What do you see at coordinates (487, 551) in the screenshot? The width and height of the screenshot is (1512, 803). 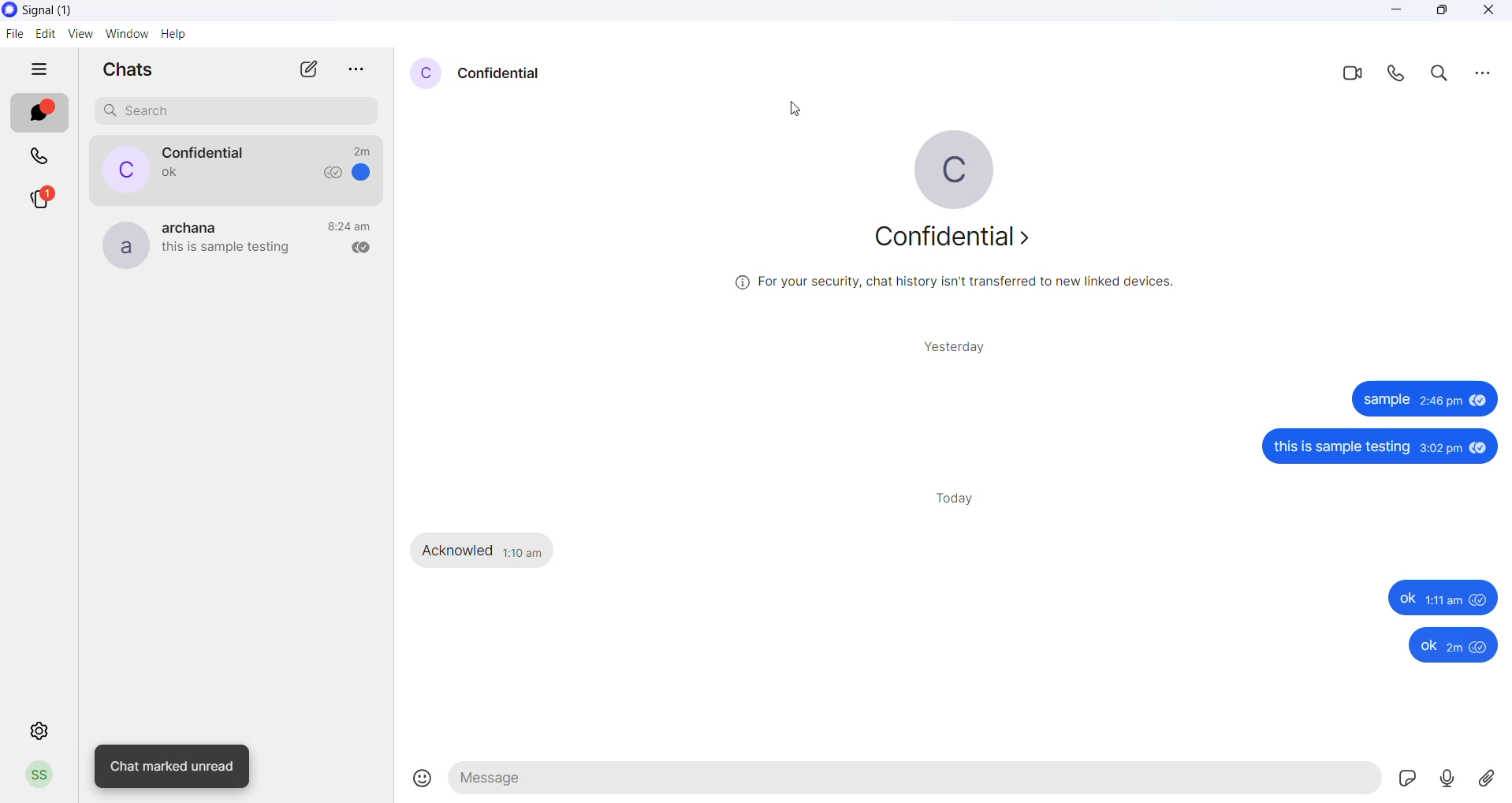 I see `received messages ` at bounding box center [487, 551].